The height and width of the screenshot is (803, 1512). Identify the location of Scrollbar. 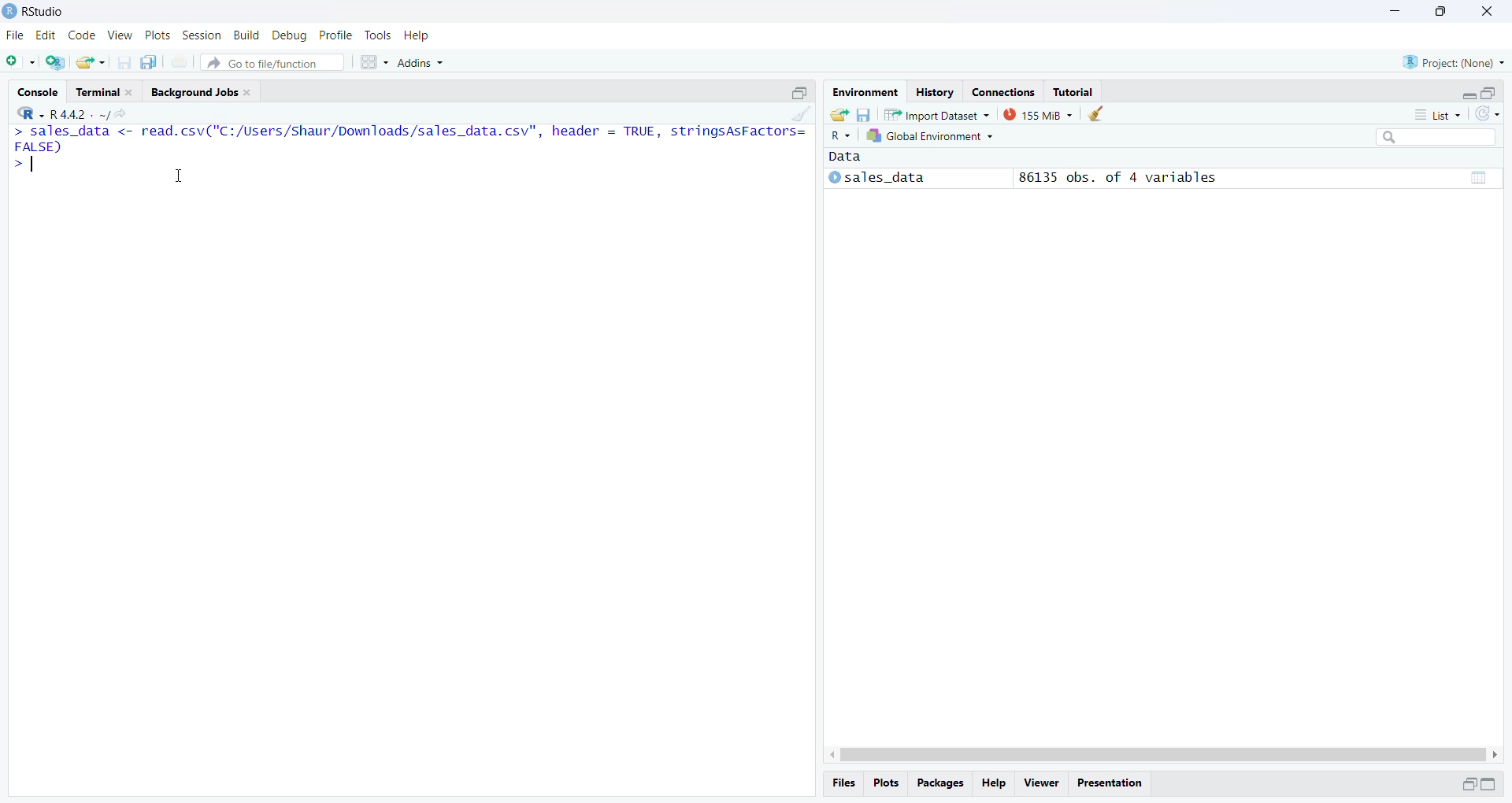
(1164, 755).